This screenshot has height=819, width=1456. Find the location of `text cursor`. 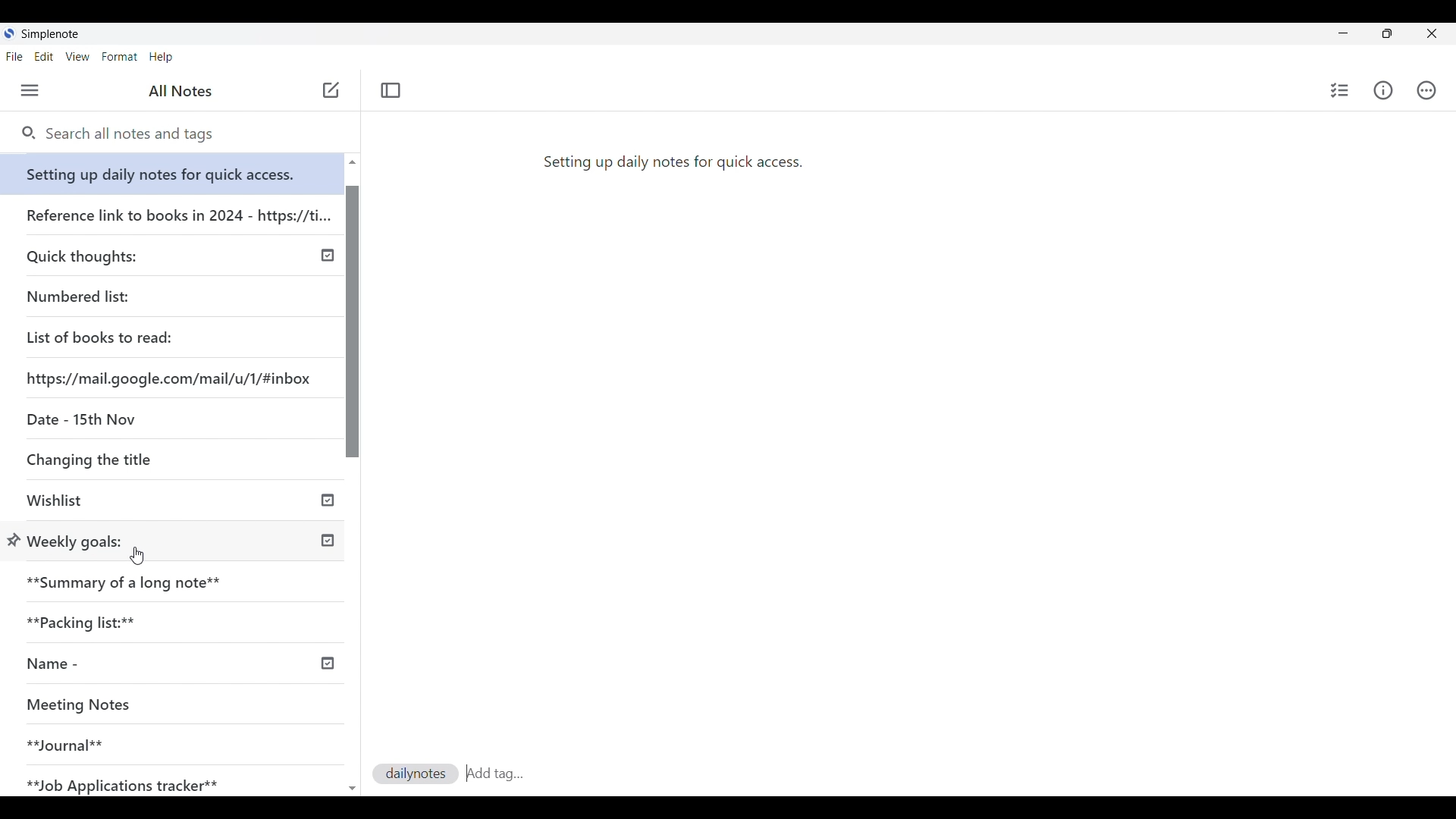

text cursor is located at coordinates (468, 773).